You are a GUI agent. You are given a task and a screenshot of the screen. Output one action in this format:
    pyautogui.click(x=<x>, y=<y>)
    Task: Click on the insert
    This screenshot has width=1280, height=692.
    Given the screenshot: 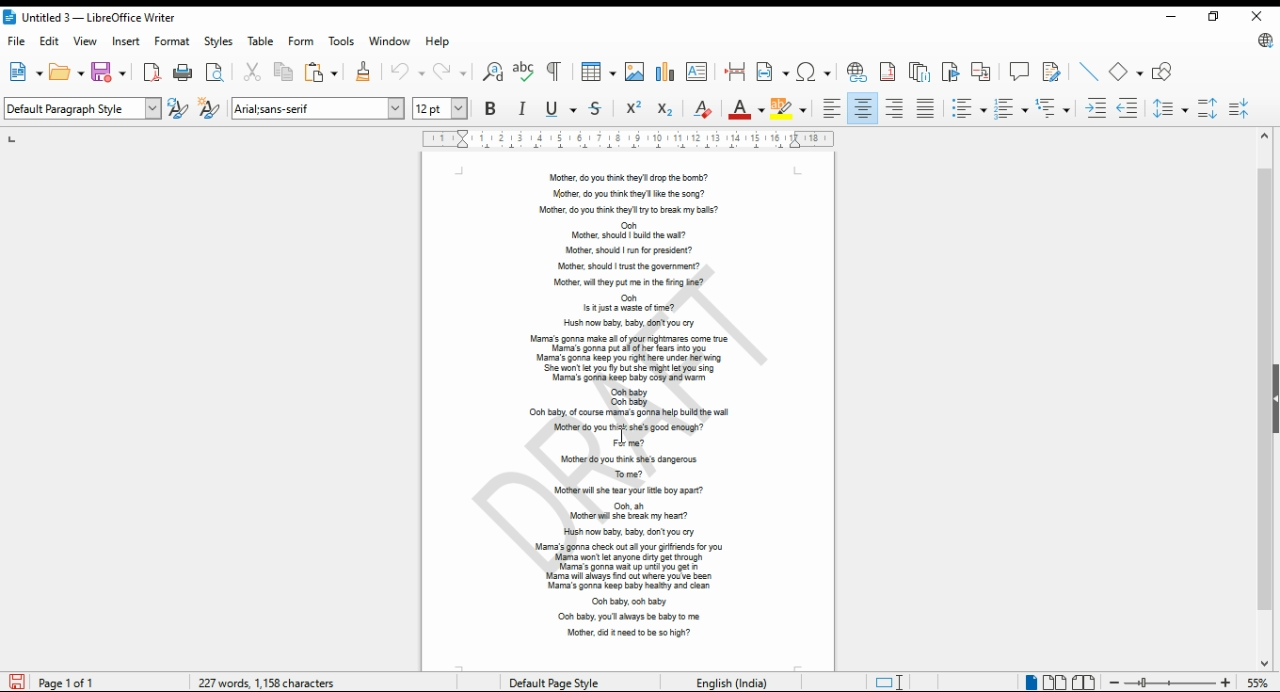 What is the action you would take?
    pyautogui.click(x=126, y=41)
    